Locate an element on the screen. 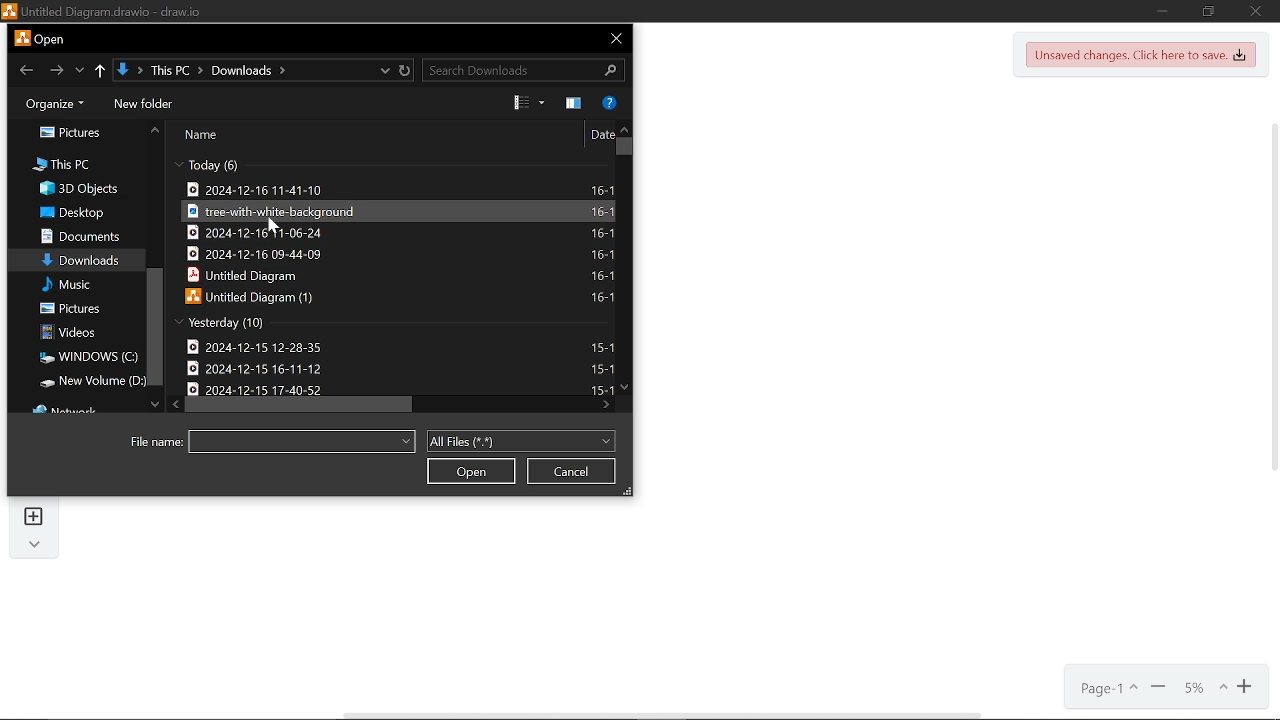  Zoom in is located at coordinates (1246, 689).